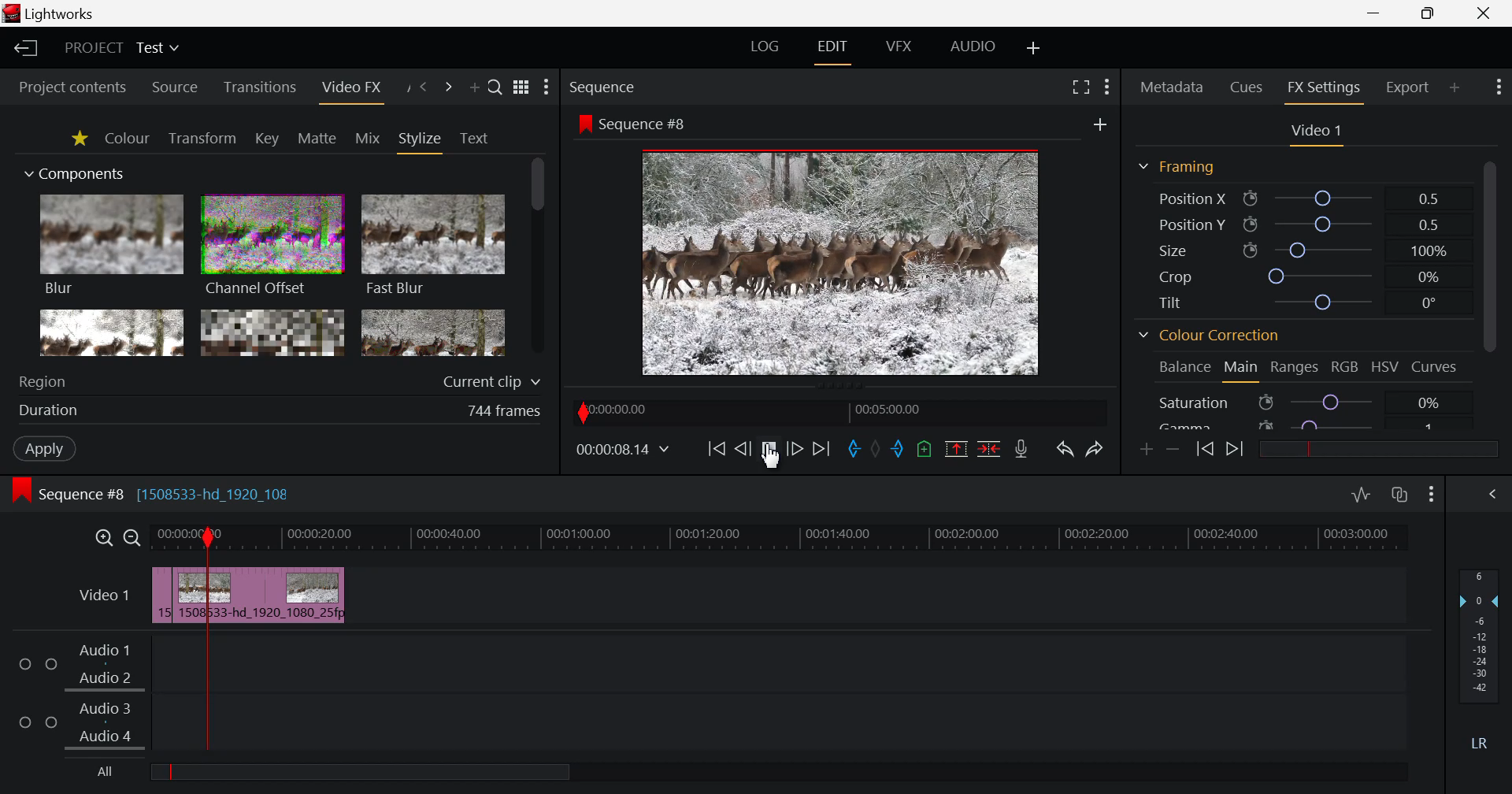 Image resolution: width=1512 pixels, height=794 pixels. I want to click on Audio Input Fields, so click(703, 695).